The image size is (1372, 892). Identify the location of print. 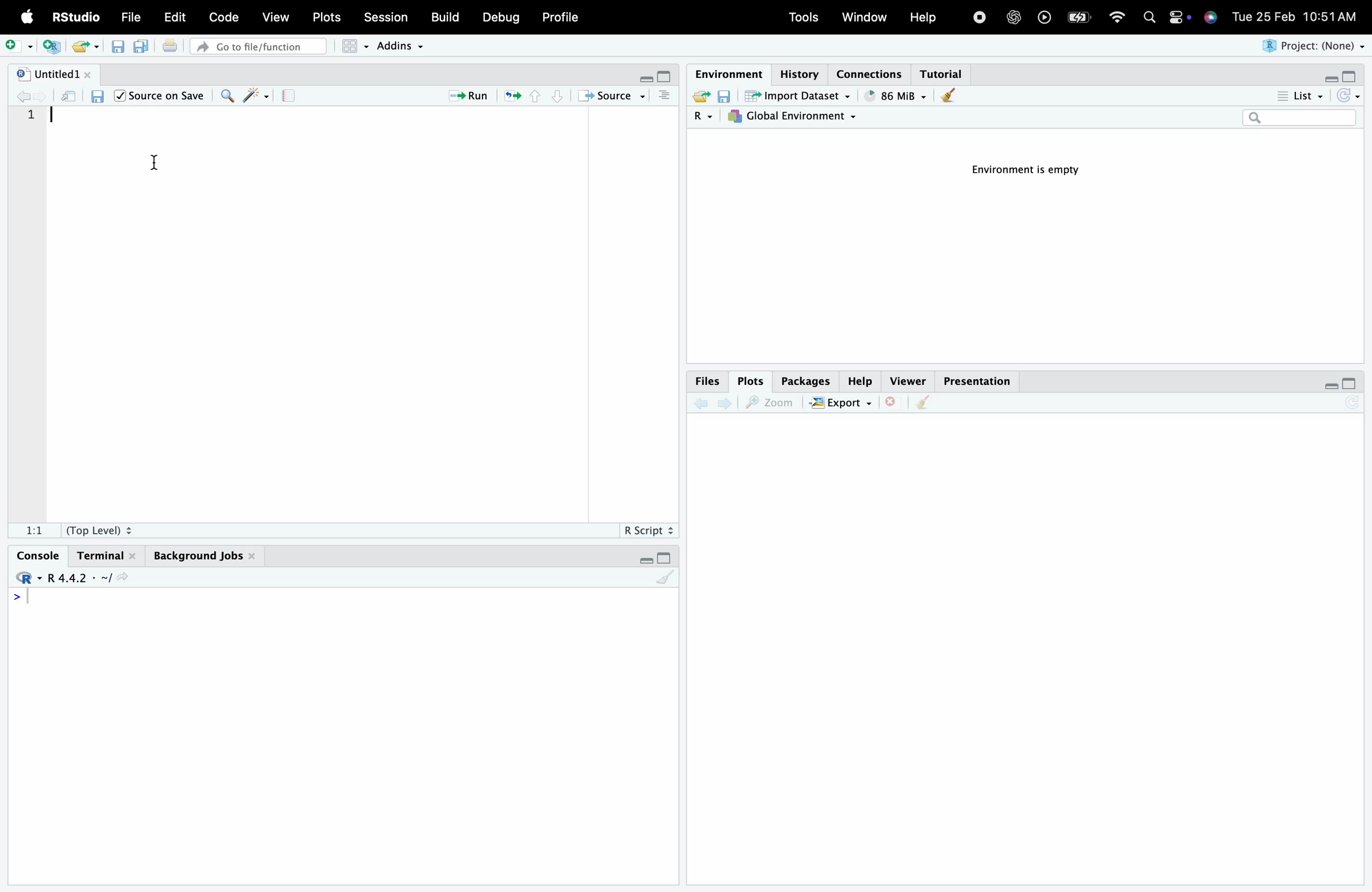
(176, 50).